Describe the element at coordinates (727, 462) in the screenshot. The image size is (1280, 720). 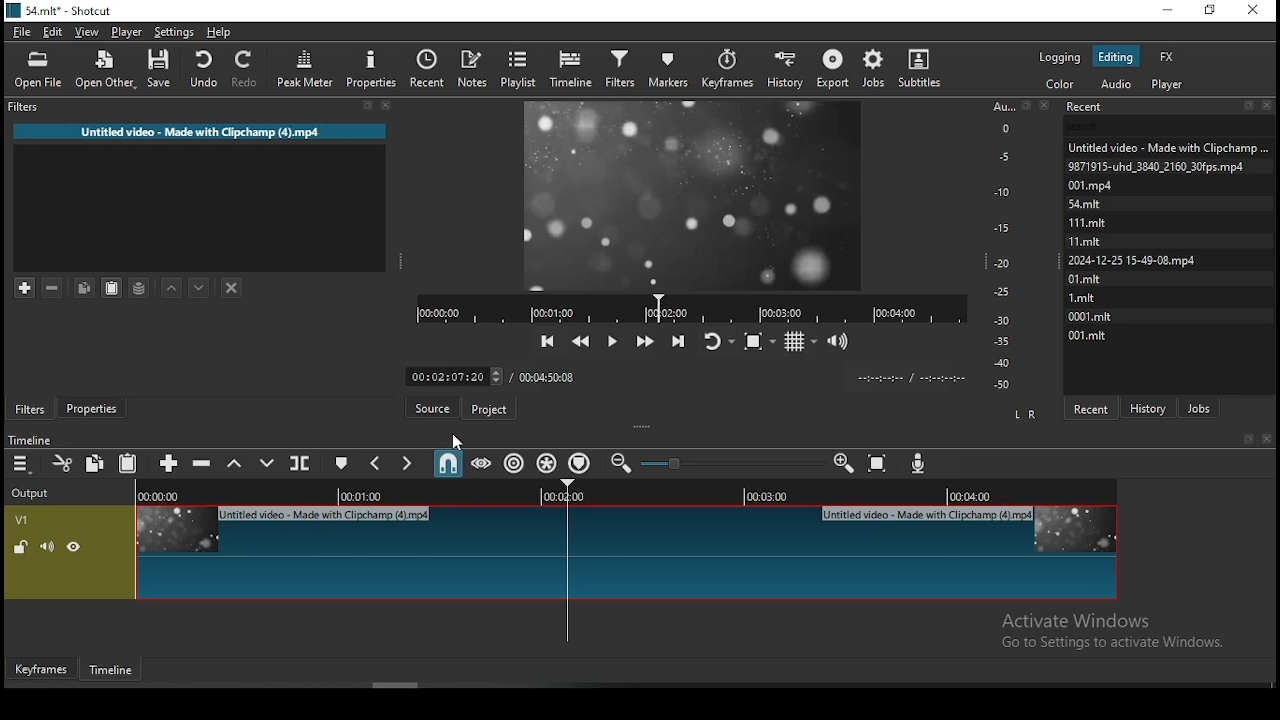
I see `zoom in or zoom out slider` at that location.